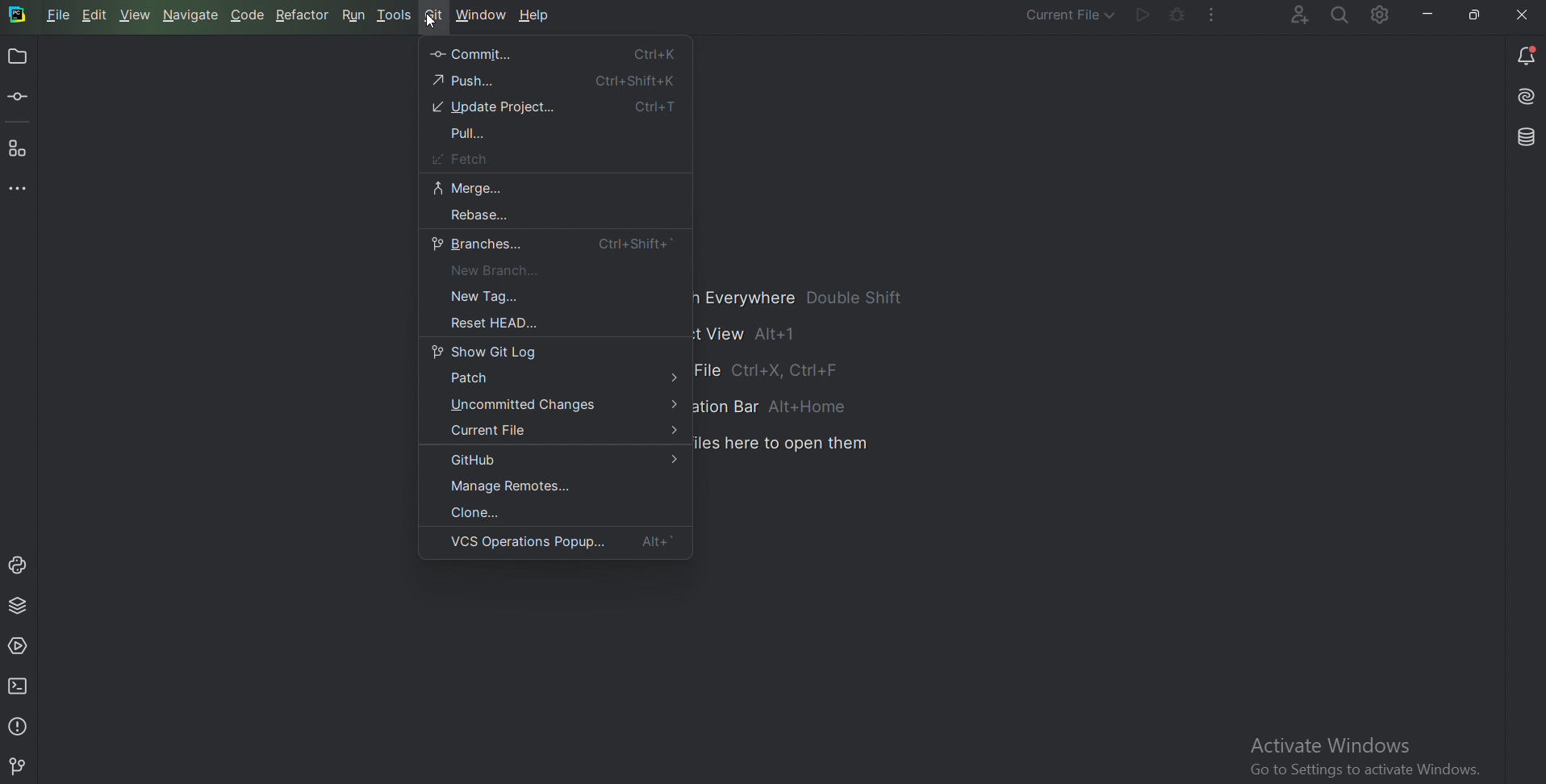 The width and height of the screenshot is (1546, 784). Describe the element at coordinates (16, 15) in the screenshot. I see `Pycharm` at that location.